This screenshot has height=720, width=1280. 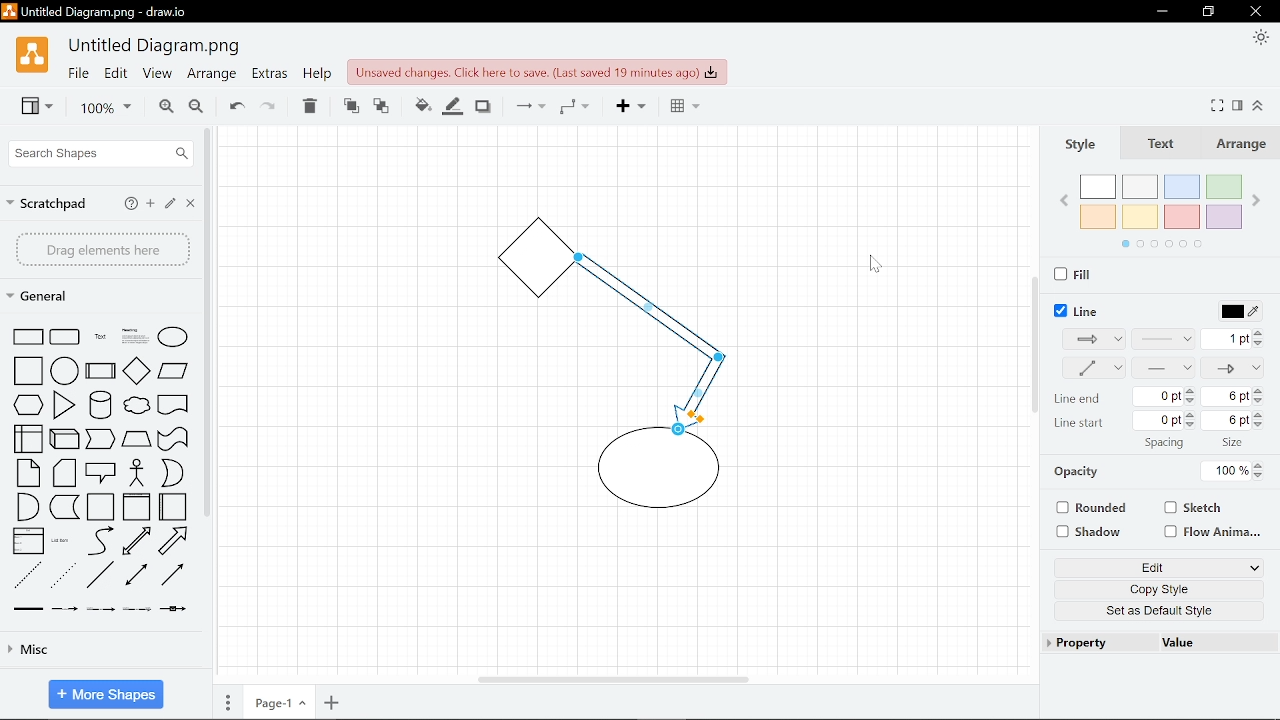 I want to click on 6pt, so click(x=1228, y=421).